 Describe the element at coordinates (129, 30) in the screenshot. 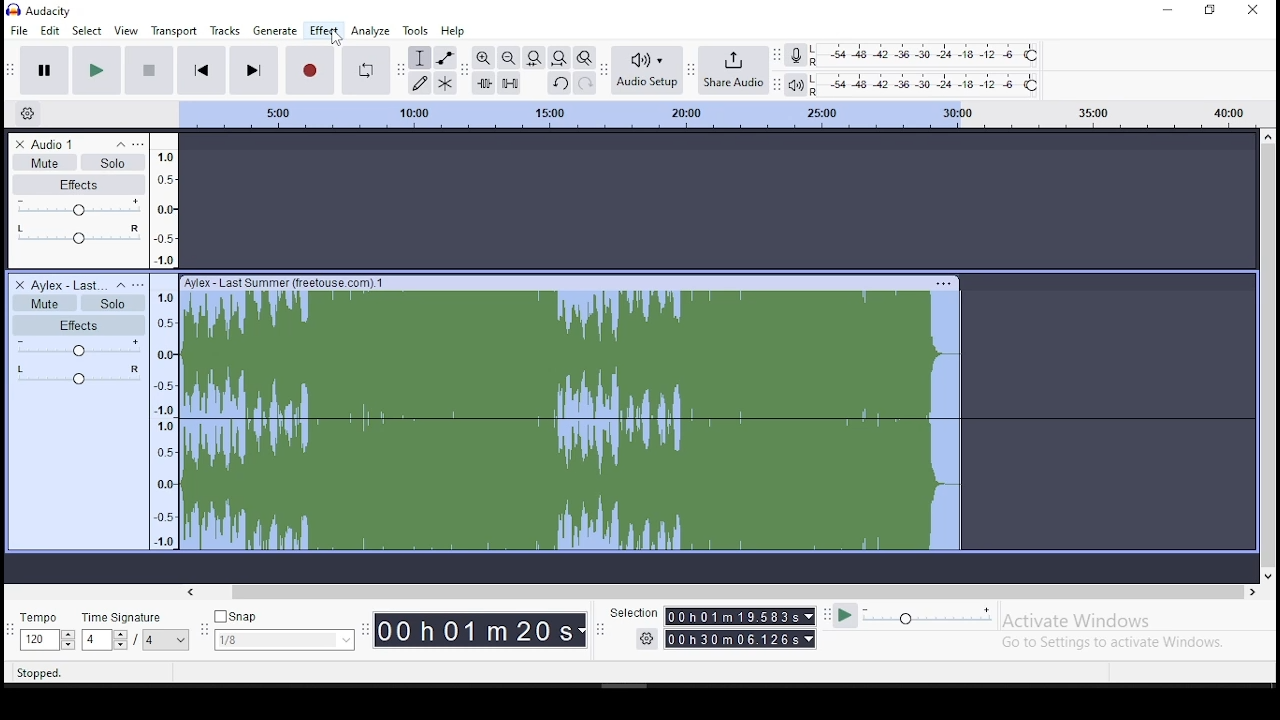

I see `view` at that location.